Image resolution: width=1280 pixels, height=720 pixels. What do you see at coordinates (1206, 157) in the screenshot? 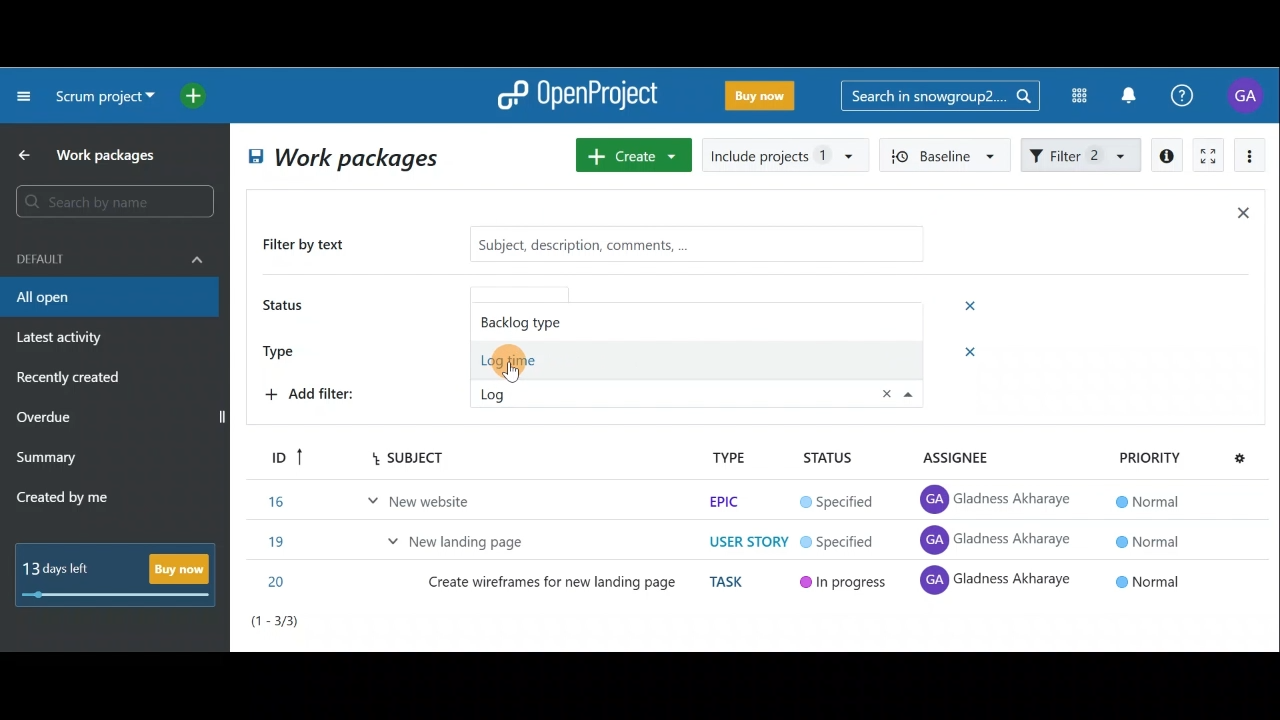
I see `Activate zen mode` at bounding box center [1206, 157].